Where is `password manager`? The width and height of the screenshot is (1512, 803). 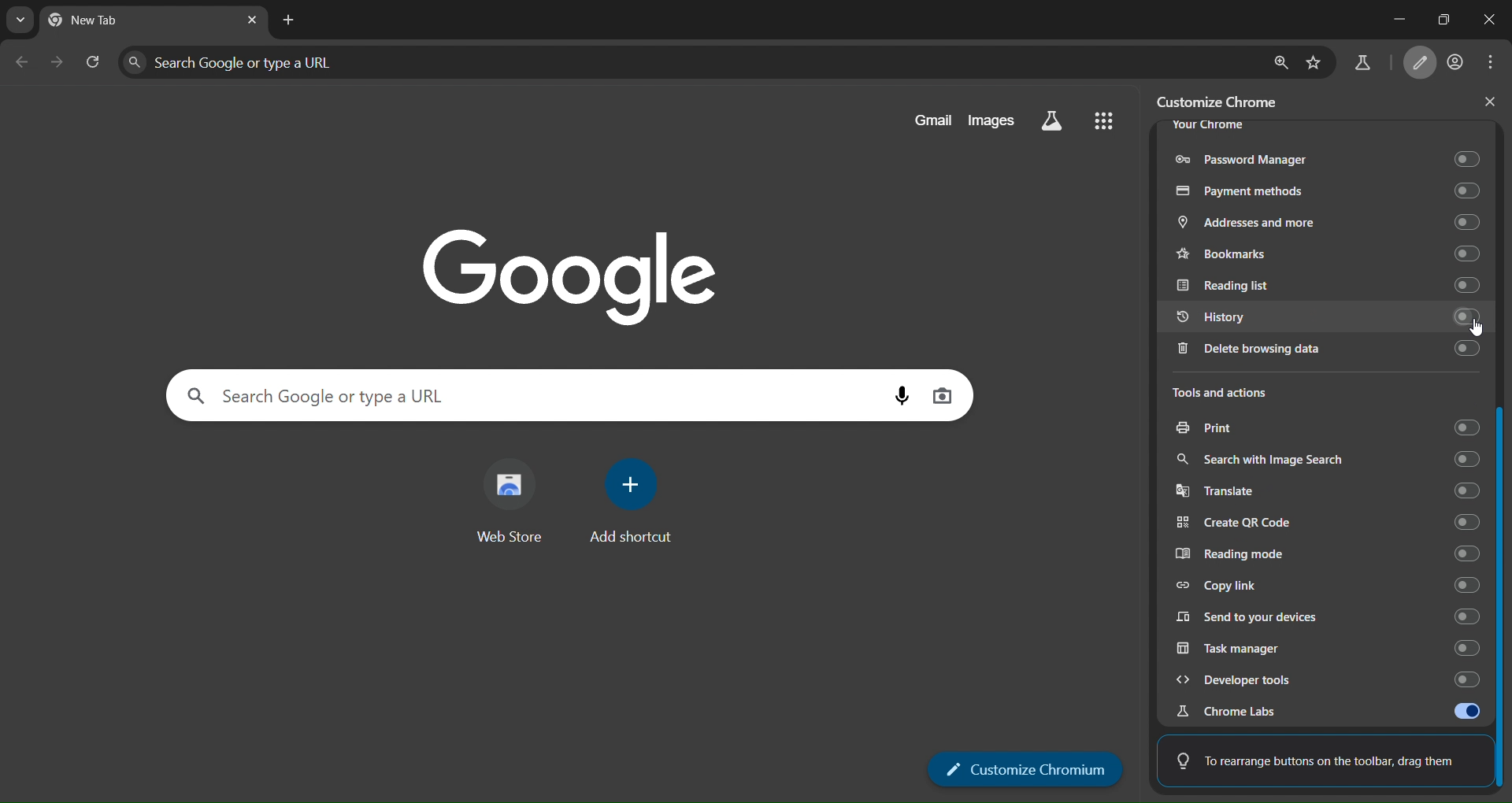 password manager is located at coordinates (1325, 156).